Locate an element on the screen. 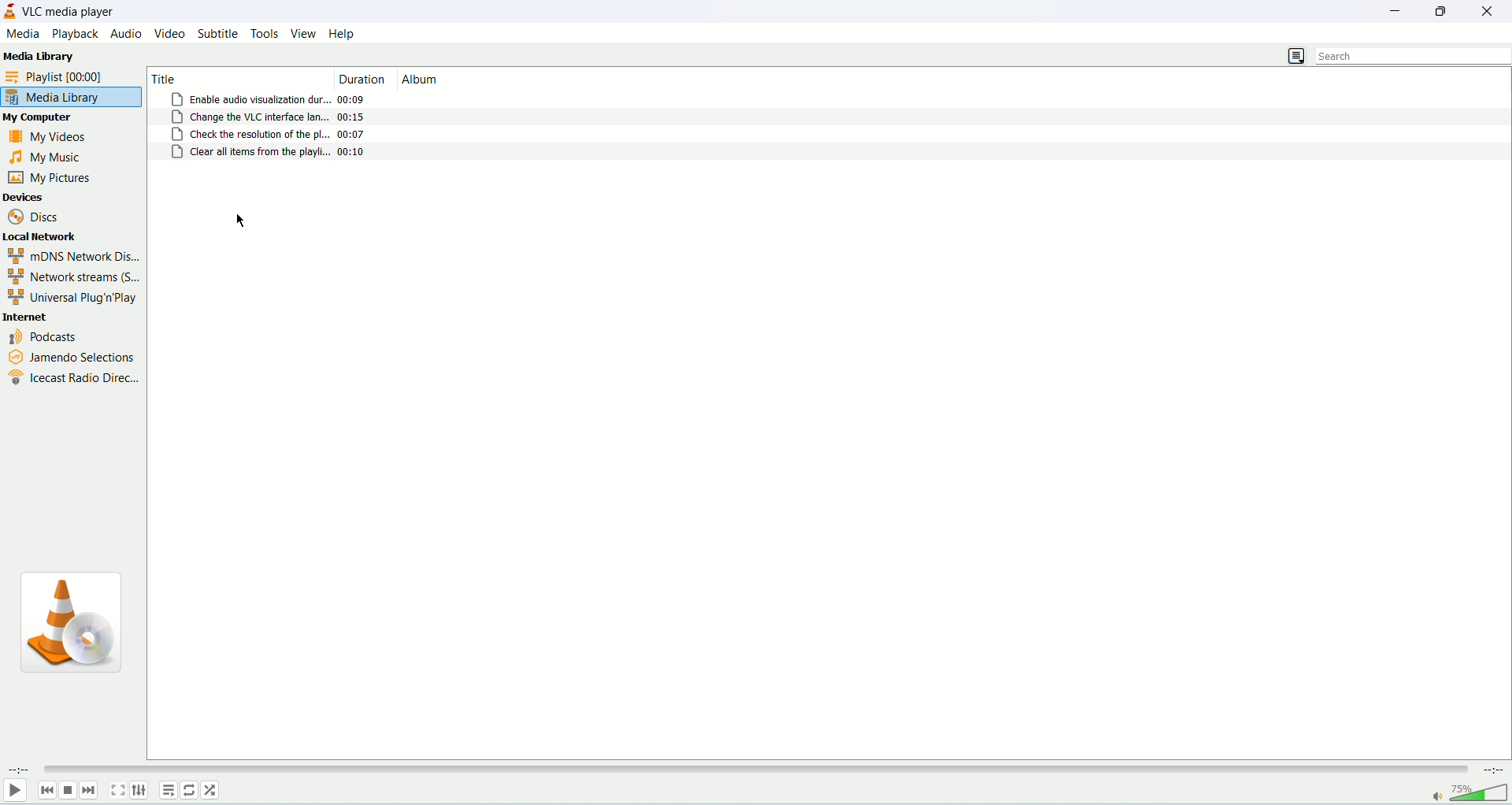 The width and height of the screenshot is (1512, 805). internet is located at coordinates (27, 317).